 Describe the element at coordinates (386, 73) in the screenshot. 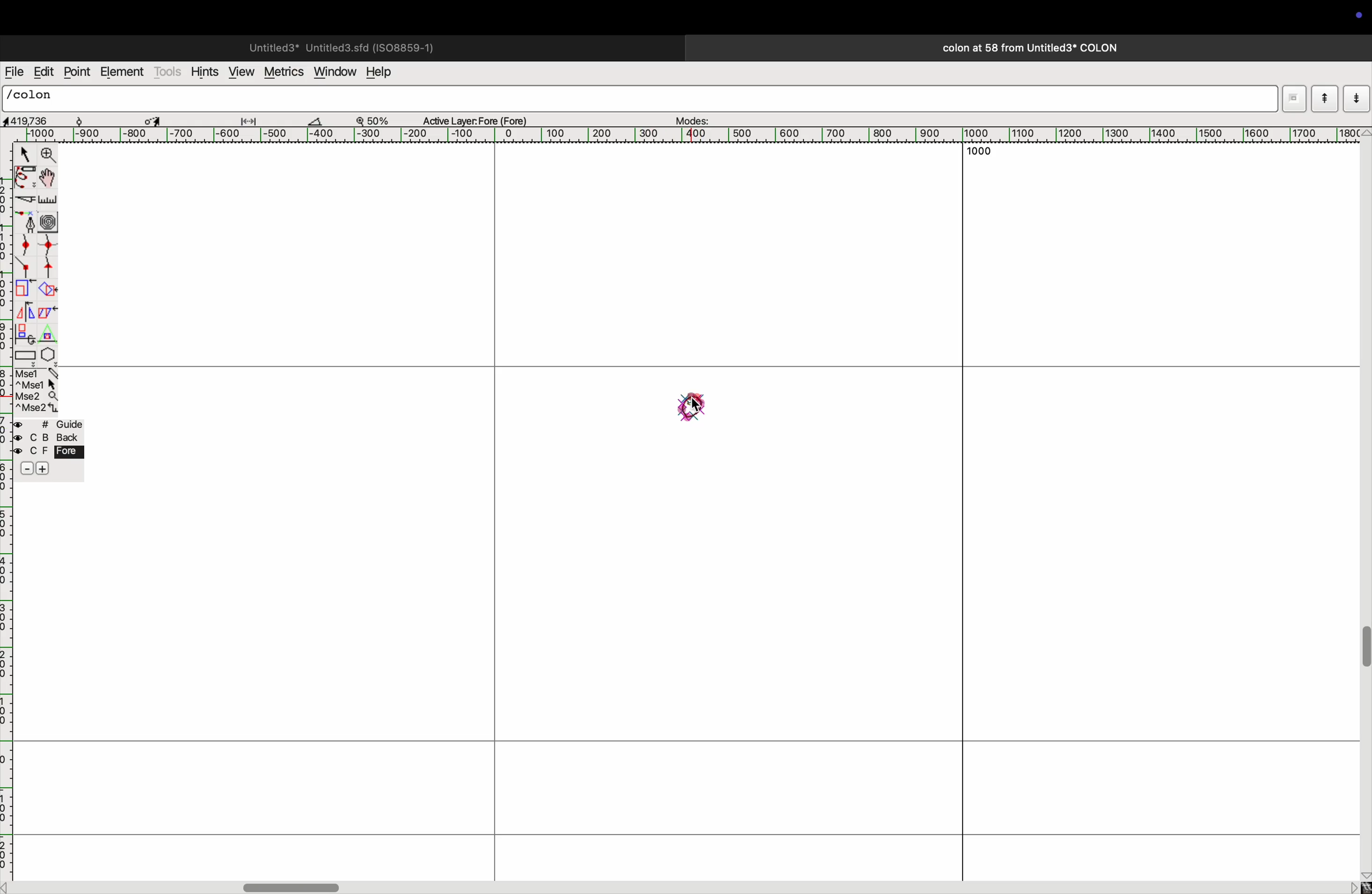

I see `hwlp` at that location.